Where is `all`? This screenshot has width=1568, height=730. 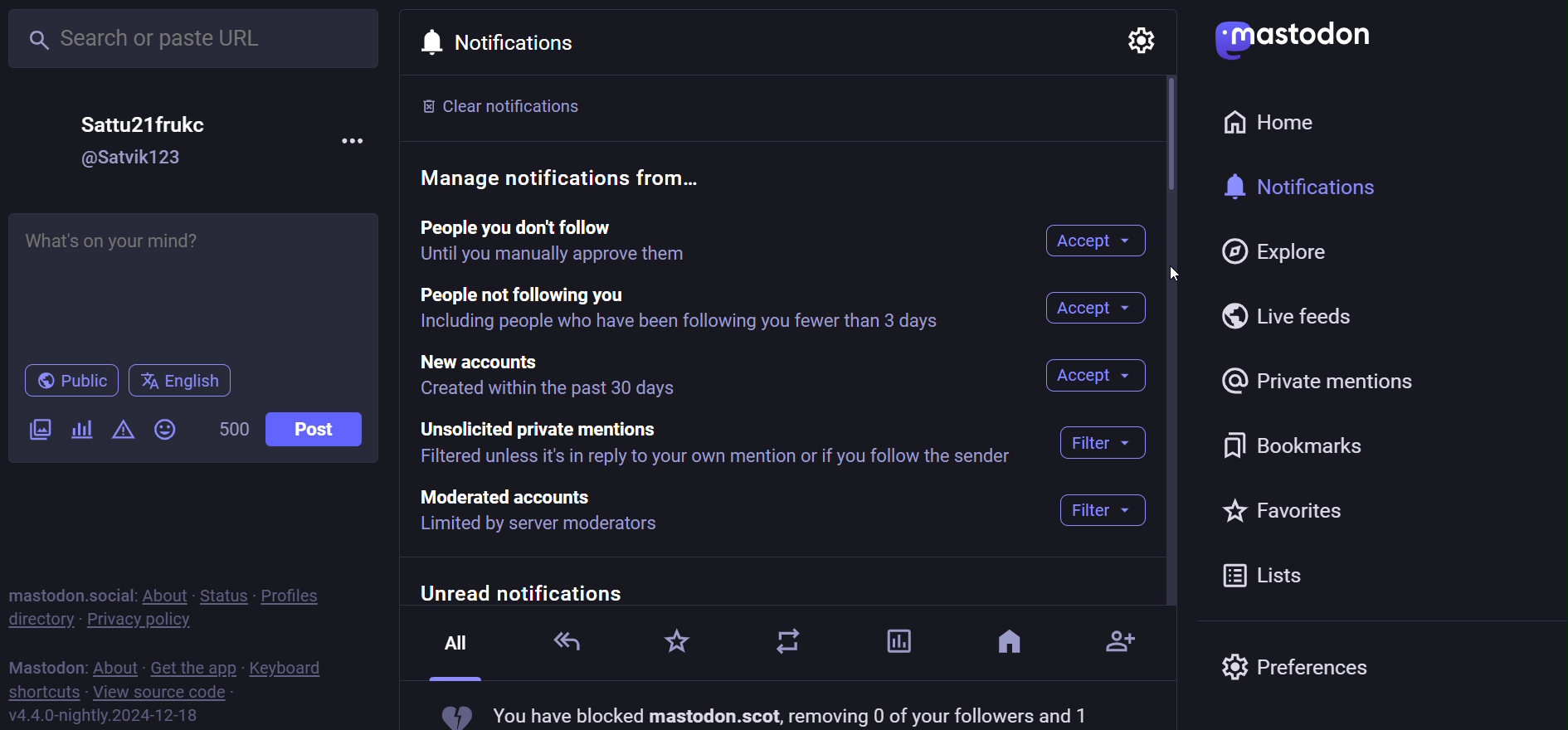 all is located at coordinates (455, 652).